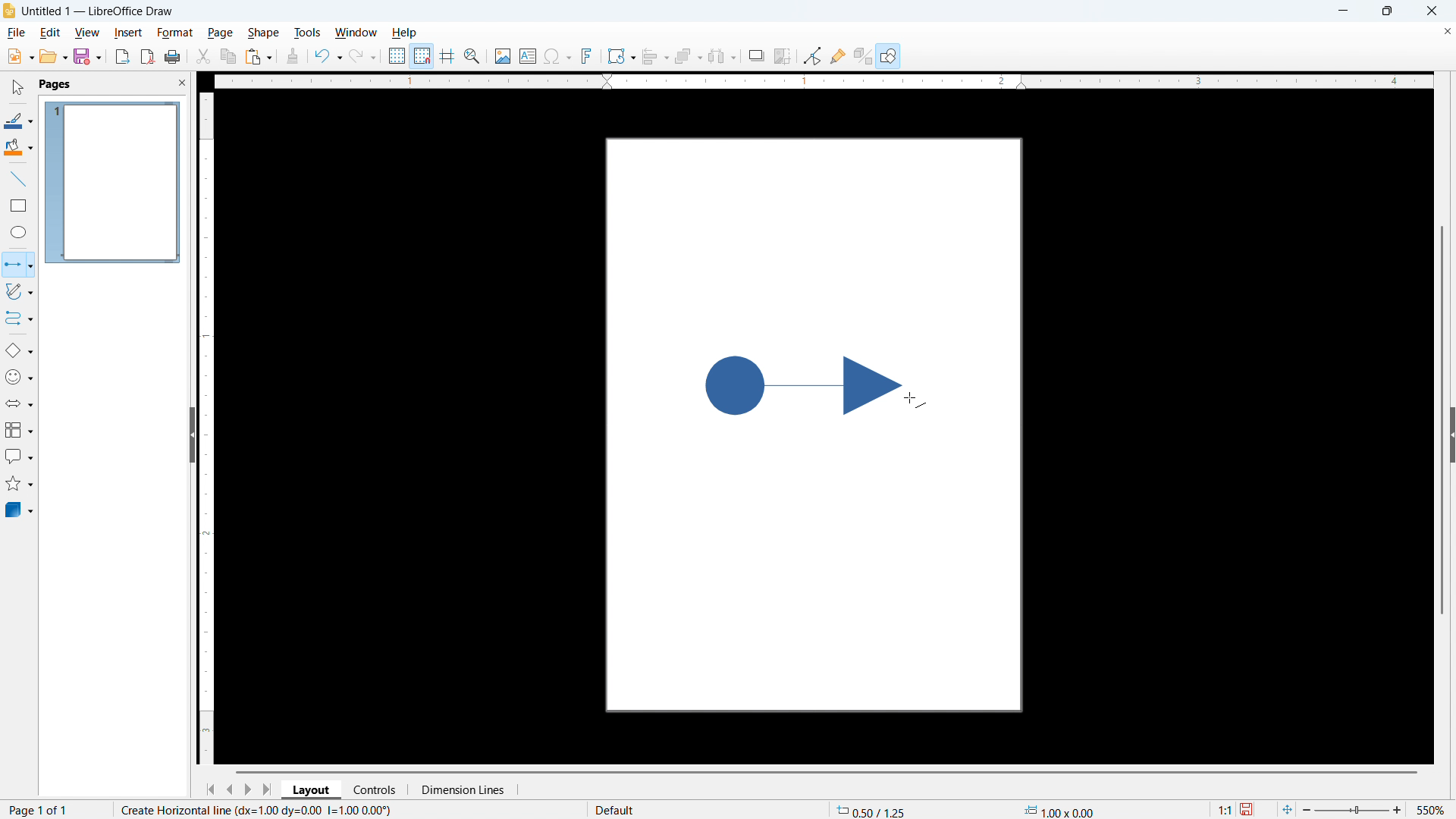 This screenshot has width=1456, height=819. I want to click on Go to last page , so click(269, 789).